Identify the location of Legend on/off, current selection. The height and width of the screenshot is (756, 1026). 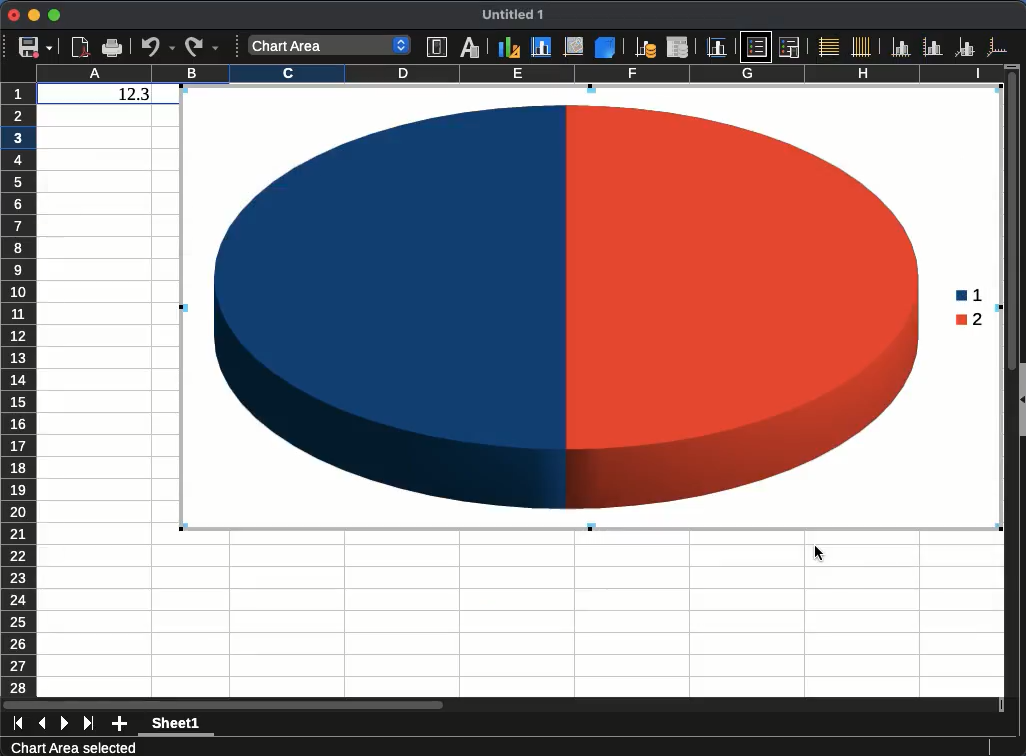
(756, 46).